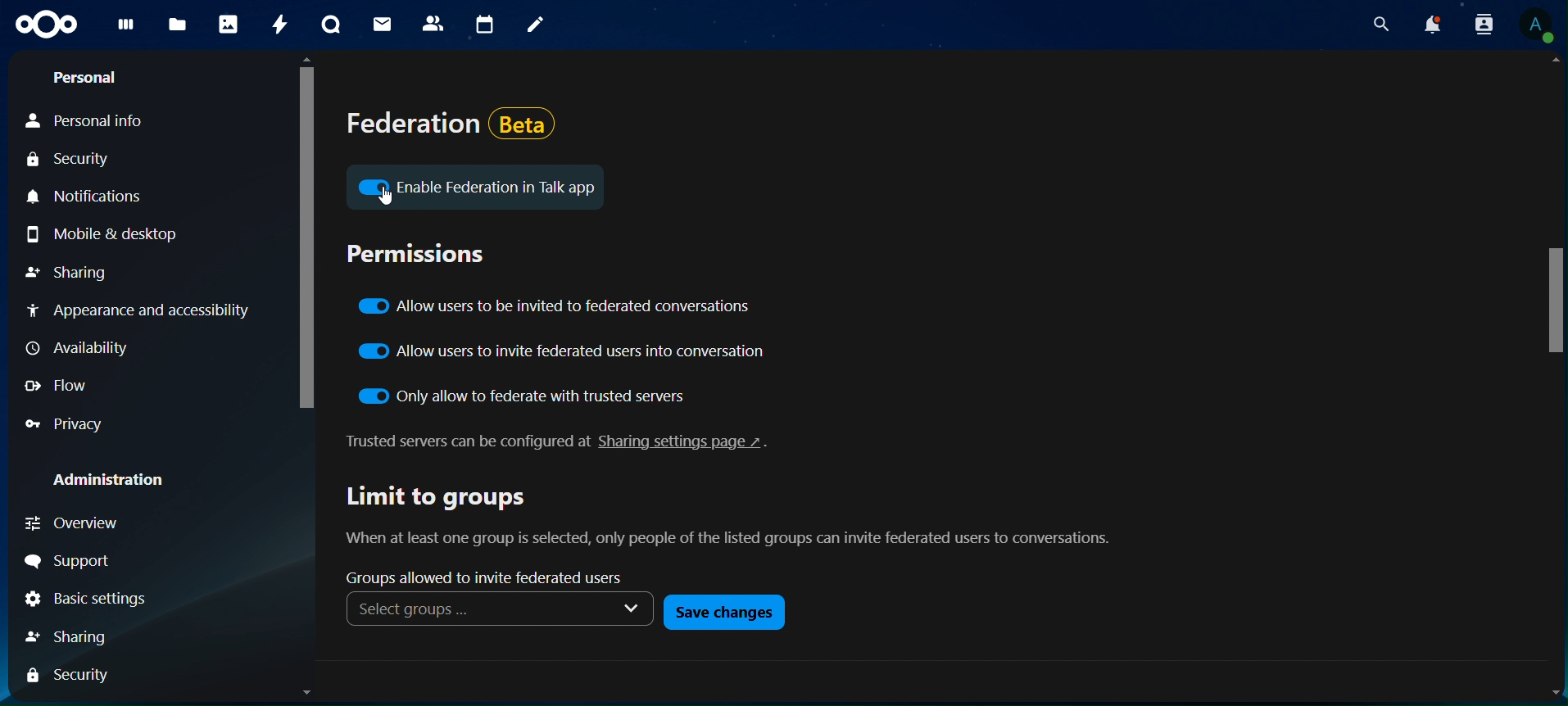 The image size is (1568, 706). I want to click on search, so click(1381, 25).